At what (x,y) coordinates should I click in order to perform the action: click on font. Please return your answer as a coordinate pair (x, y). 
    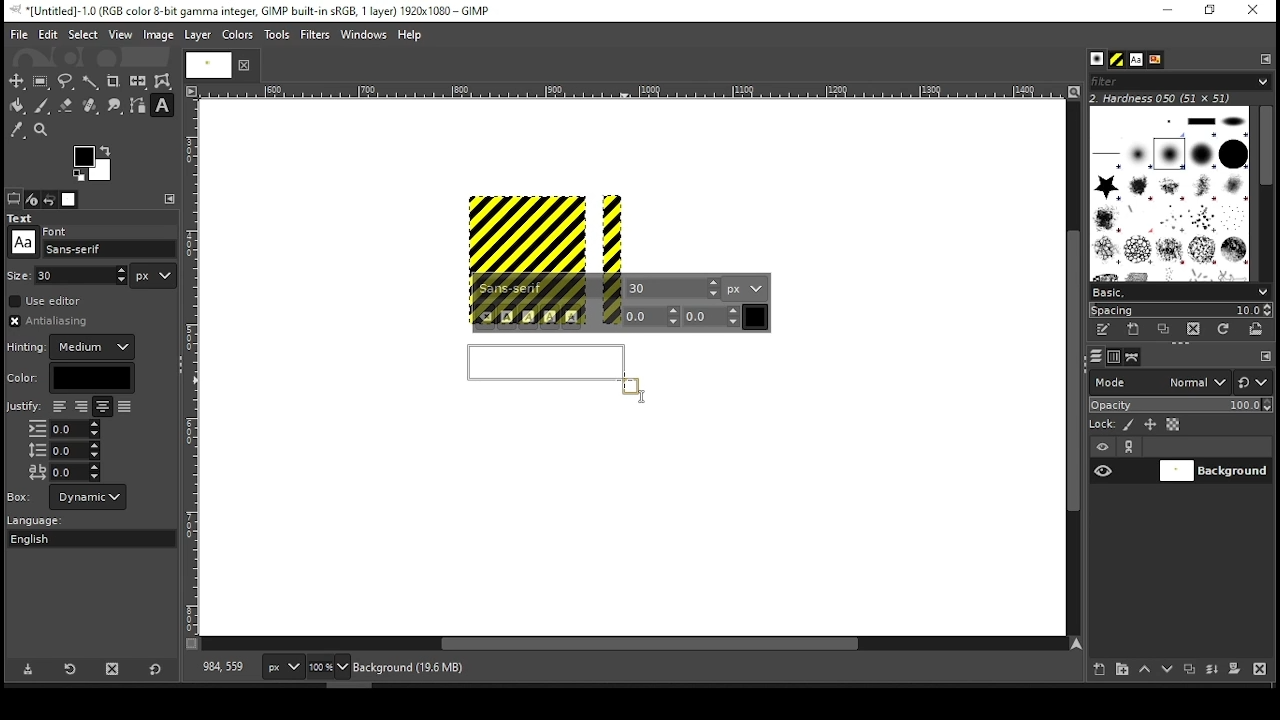
    Looking at the image, I should click on (1135, 60).